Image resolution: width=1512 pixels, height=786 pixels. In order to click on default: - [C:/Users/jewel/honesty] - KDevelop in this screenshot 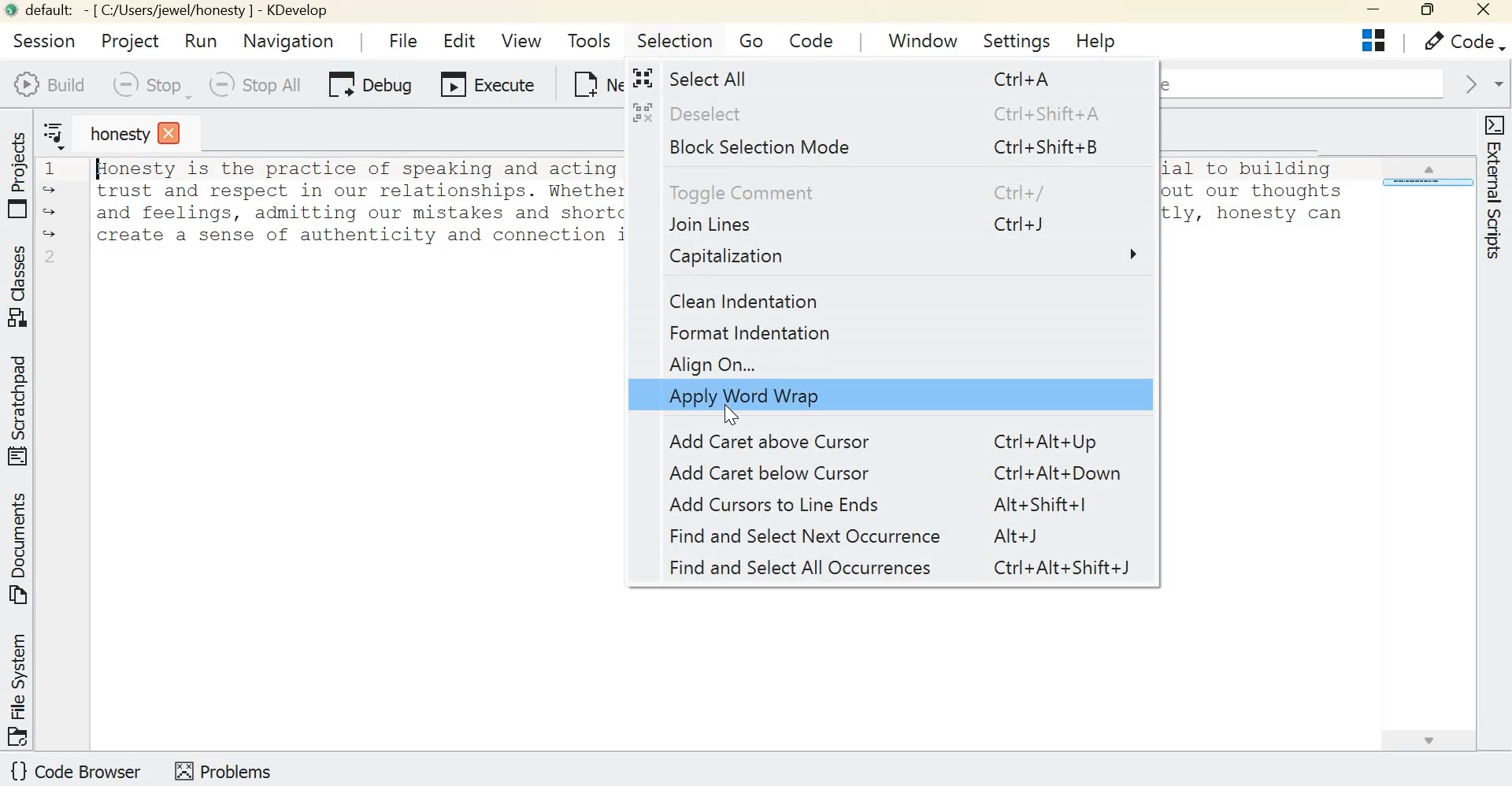, I will do `click(175, 11)`.